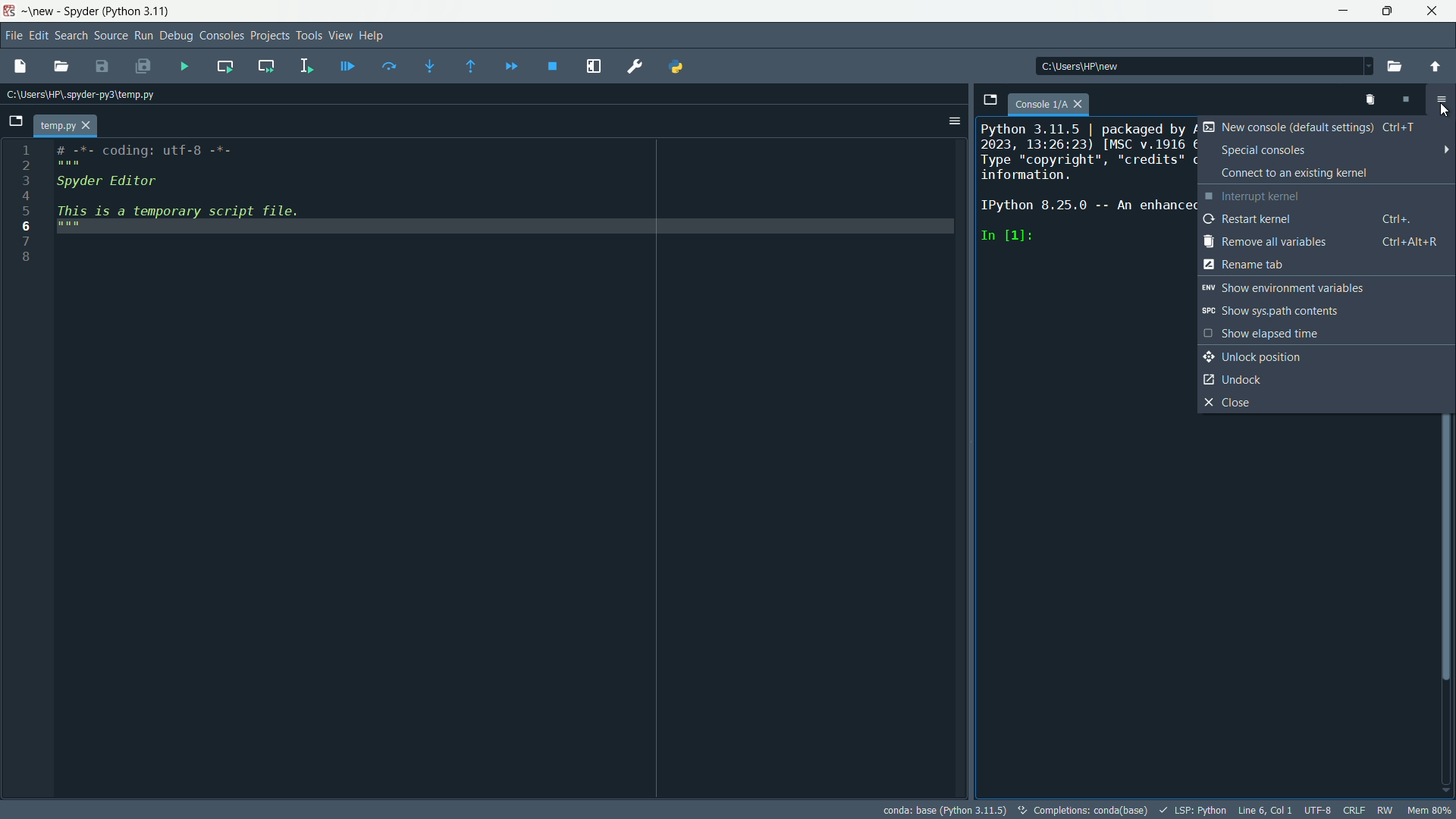 The height and width of the screenshot is (819, 1456). Describe the element at coordinates (1313, 128) in the screenshot. I see `New Console (default settings) Ctrl+T` at that location.